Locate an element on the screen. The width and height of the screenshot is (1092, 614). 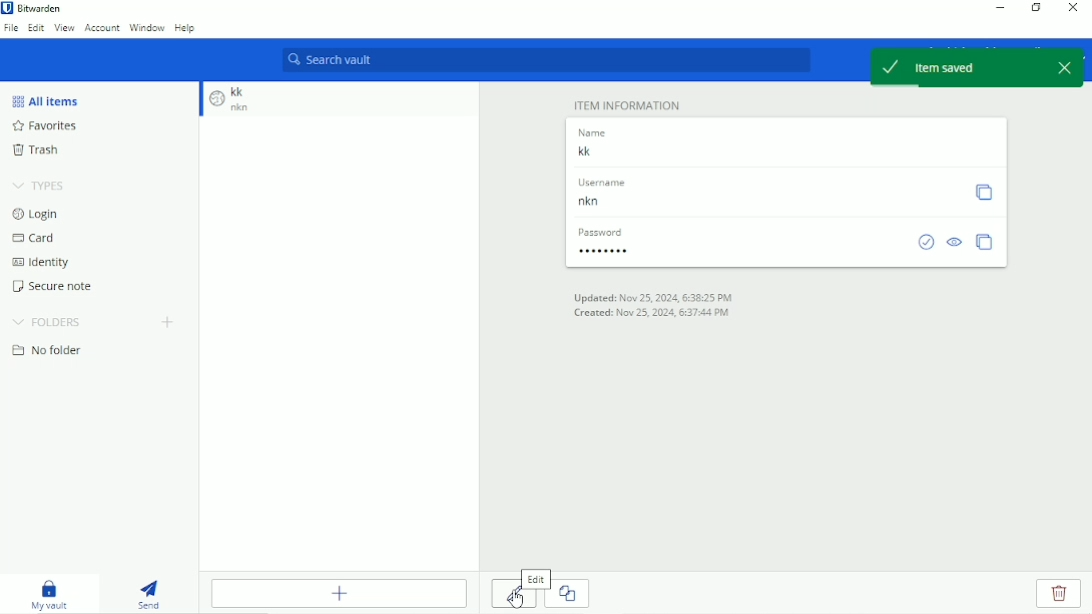
Close is located at coordinates (1072, 7).